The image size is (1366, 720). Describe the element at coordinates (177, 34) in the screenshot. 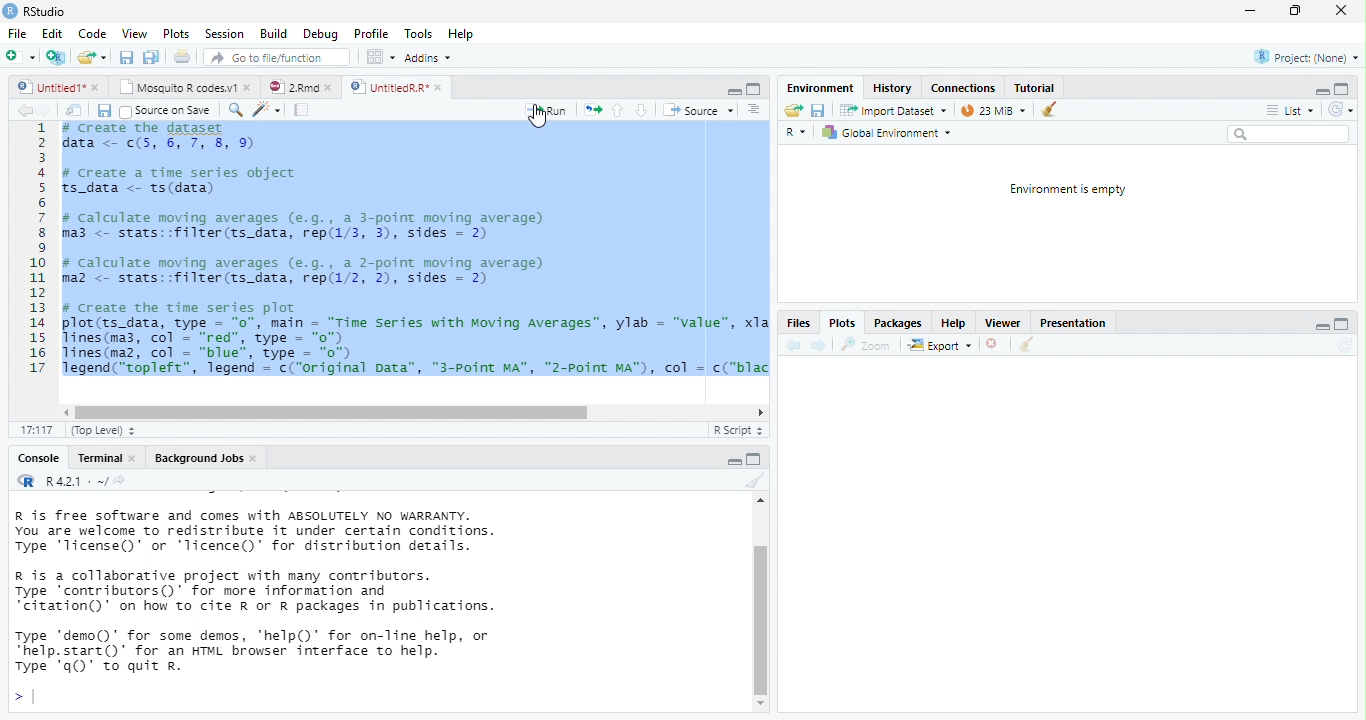

I see `Plots` at that location.